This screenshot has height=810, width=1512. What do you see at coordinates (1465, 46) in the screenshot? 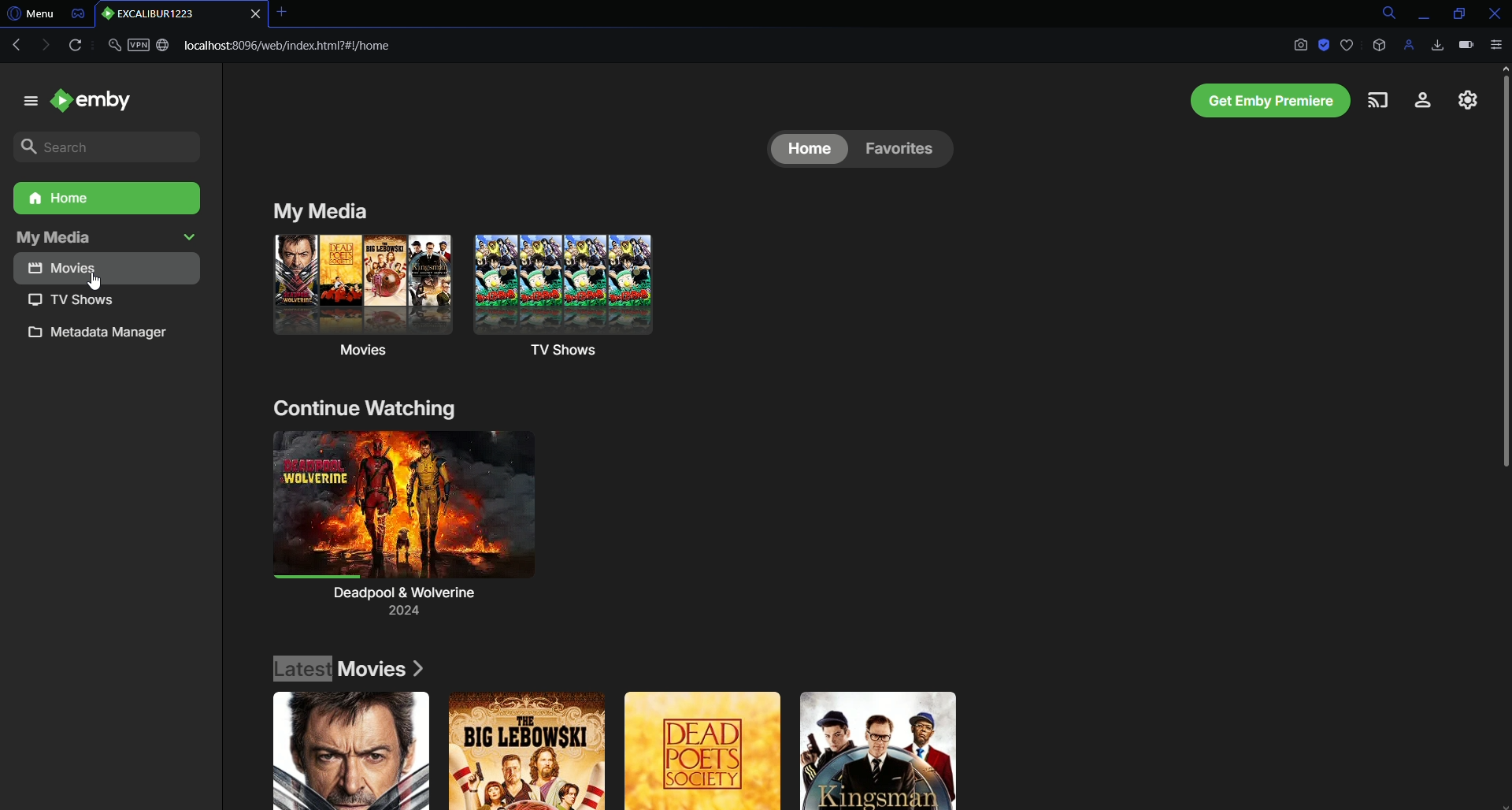
I see `Battery` at bounding box center [1465, 46].